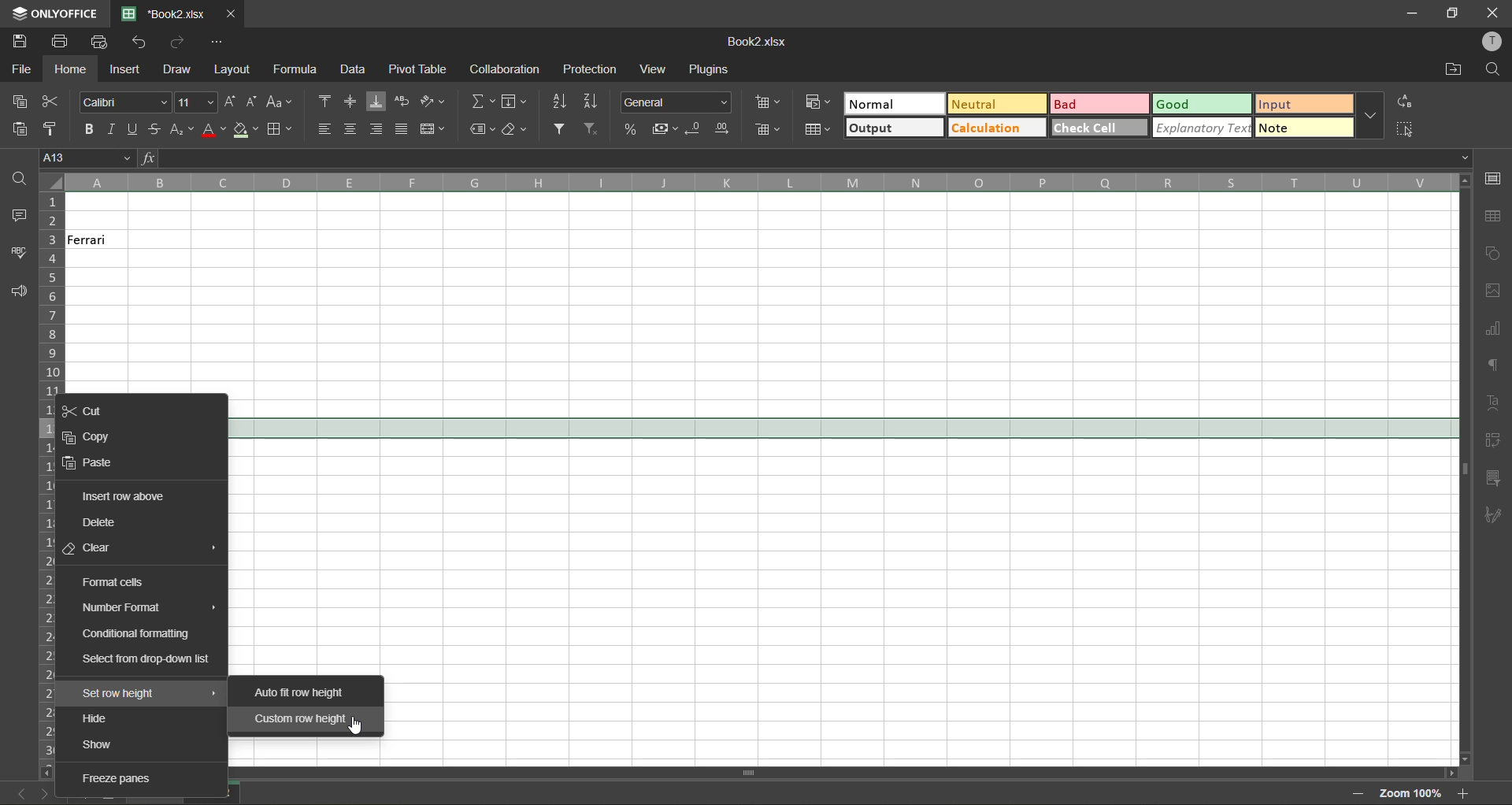 This screenshot has height=805, width=1512. What do you see at coordinates (838, 427) in the screenshot?
I see `selected row` at bounding box center [838, 427].